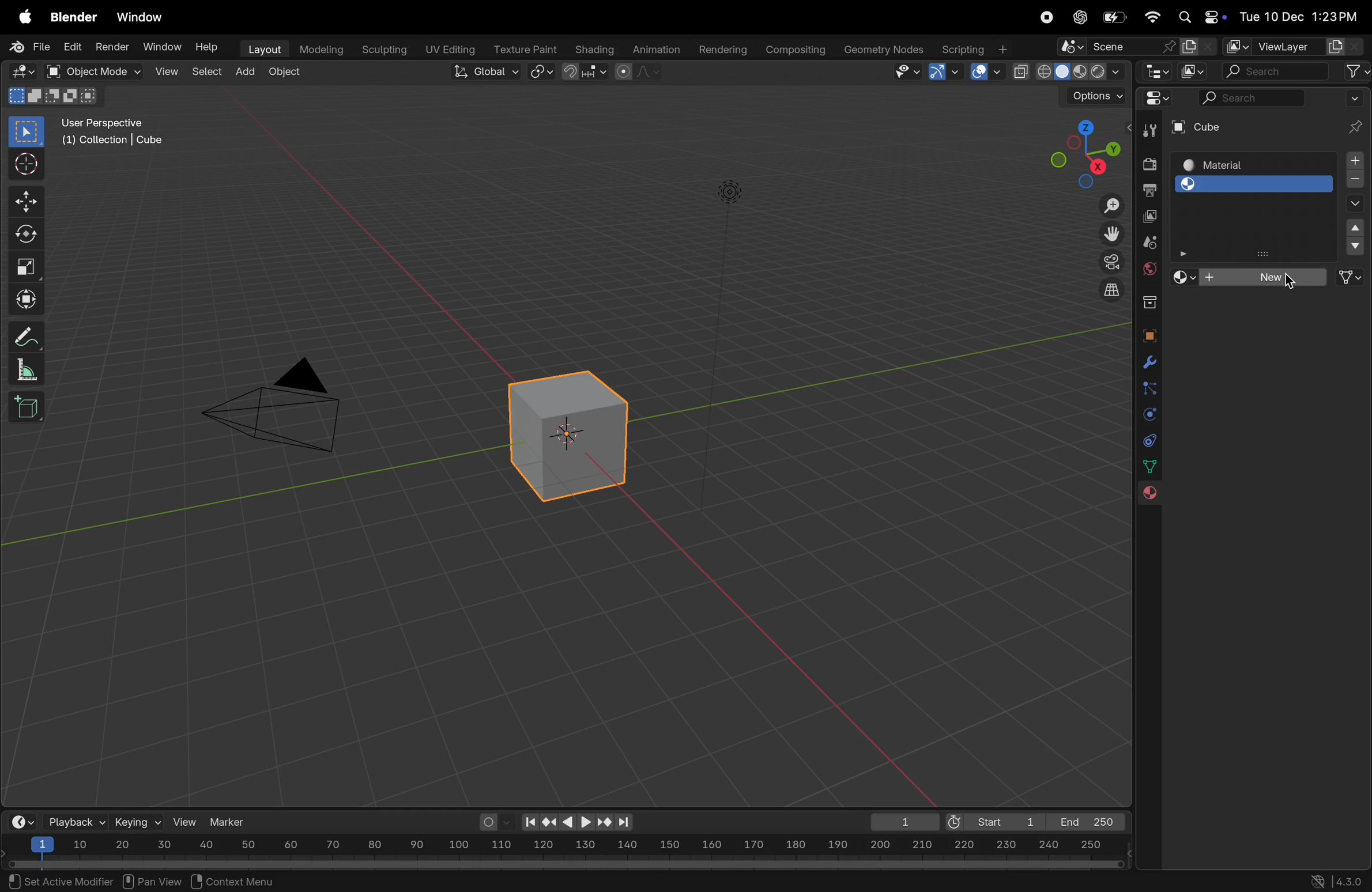 This screenshot has height=892, width=1372. What do you see at coordinates (69, 48) in the screenshot?
I see `edit` at bounding box center [69, 48].